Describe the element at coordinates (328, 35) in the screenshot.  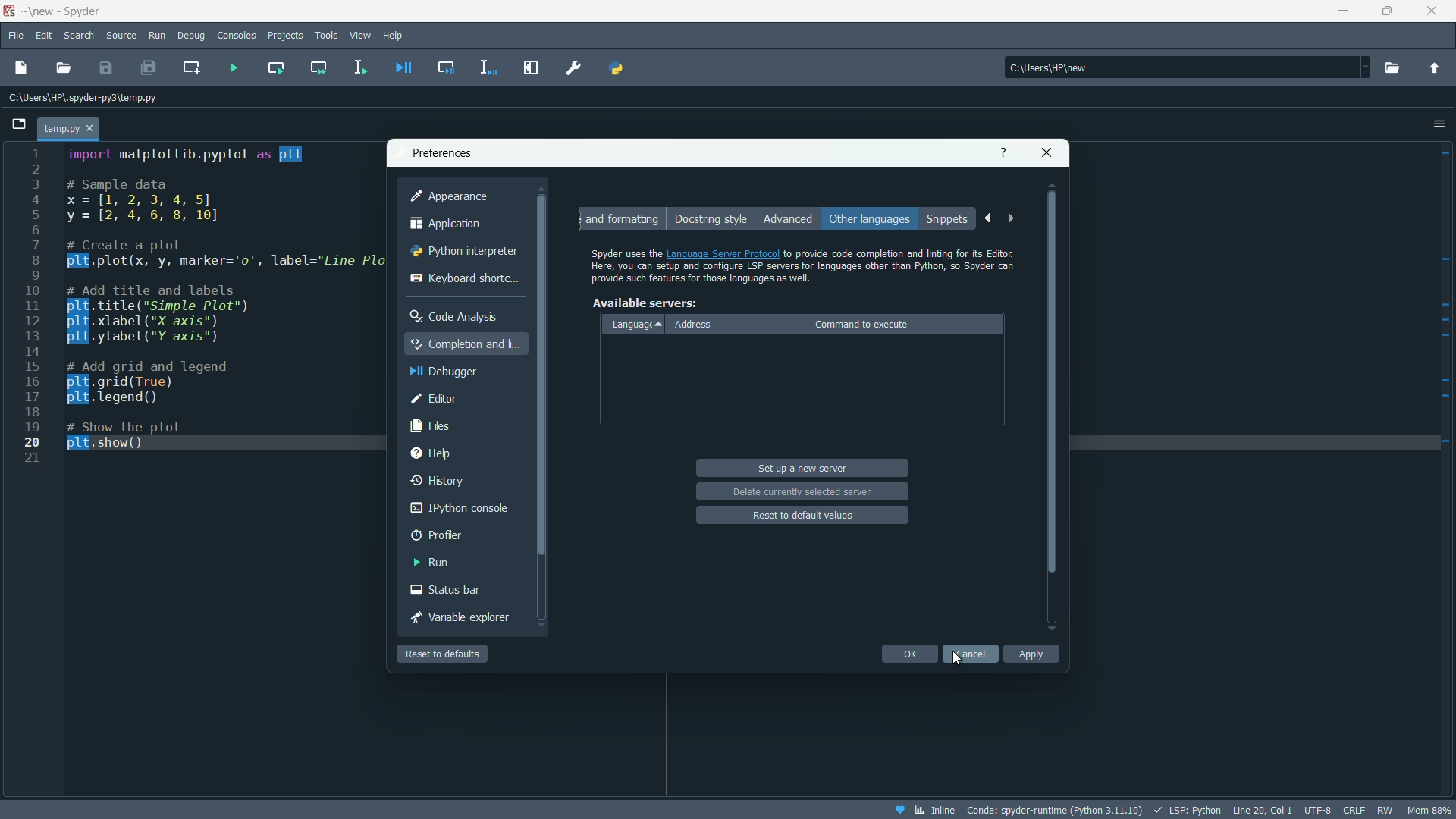
I see `tools` at that location.